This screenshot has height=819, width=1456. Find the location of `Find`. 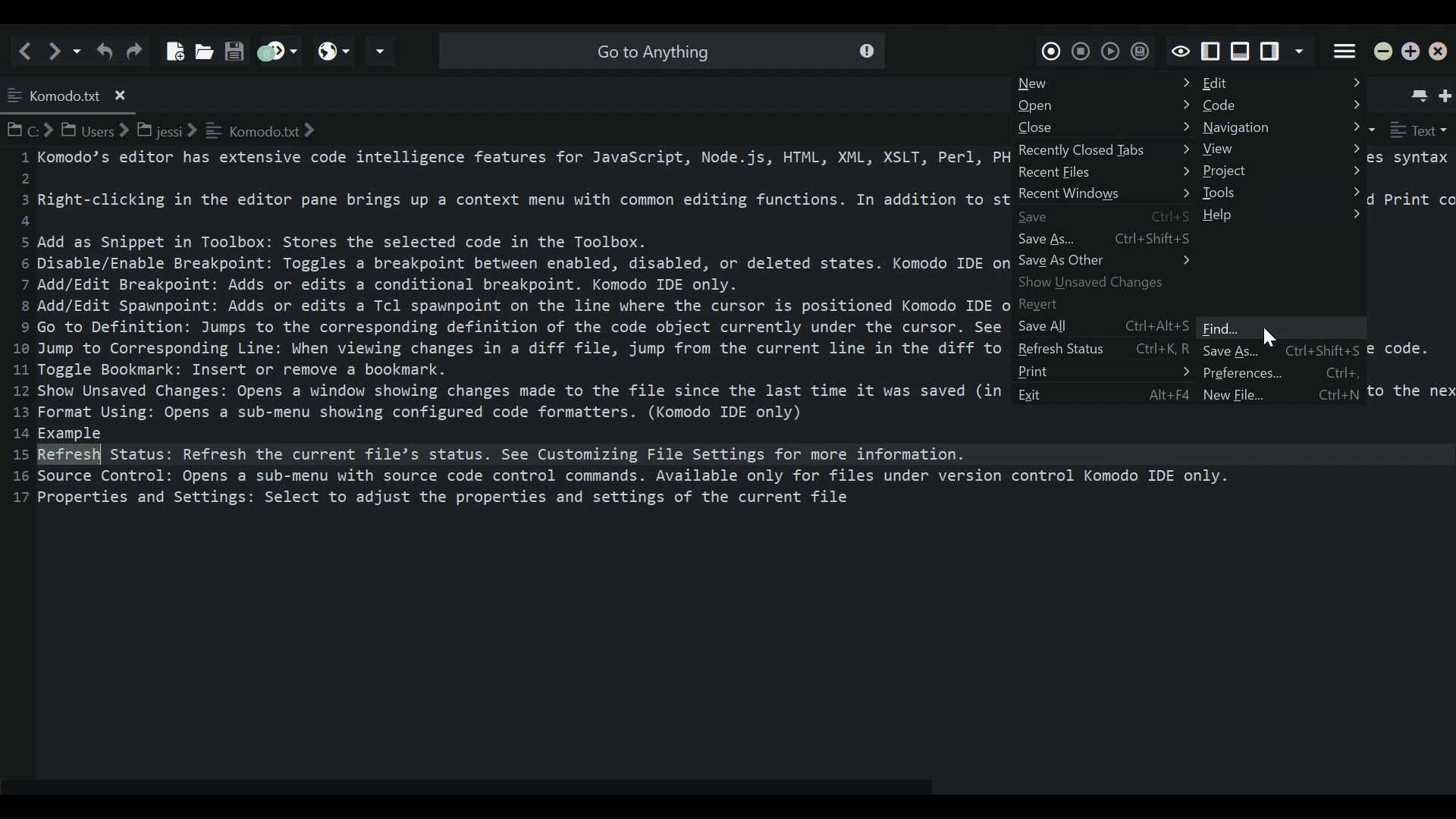

Find is located at coordinates (1284, 328).